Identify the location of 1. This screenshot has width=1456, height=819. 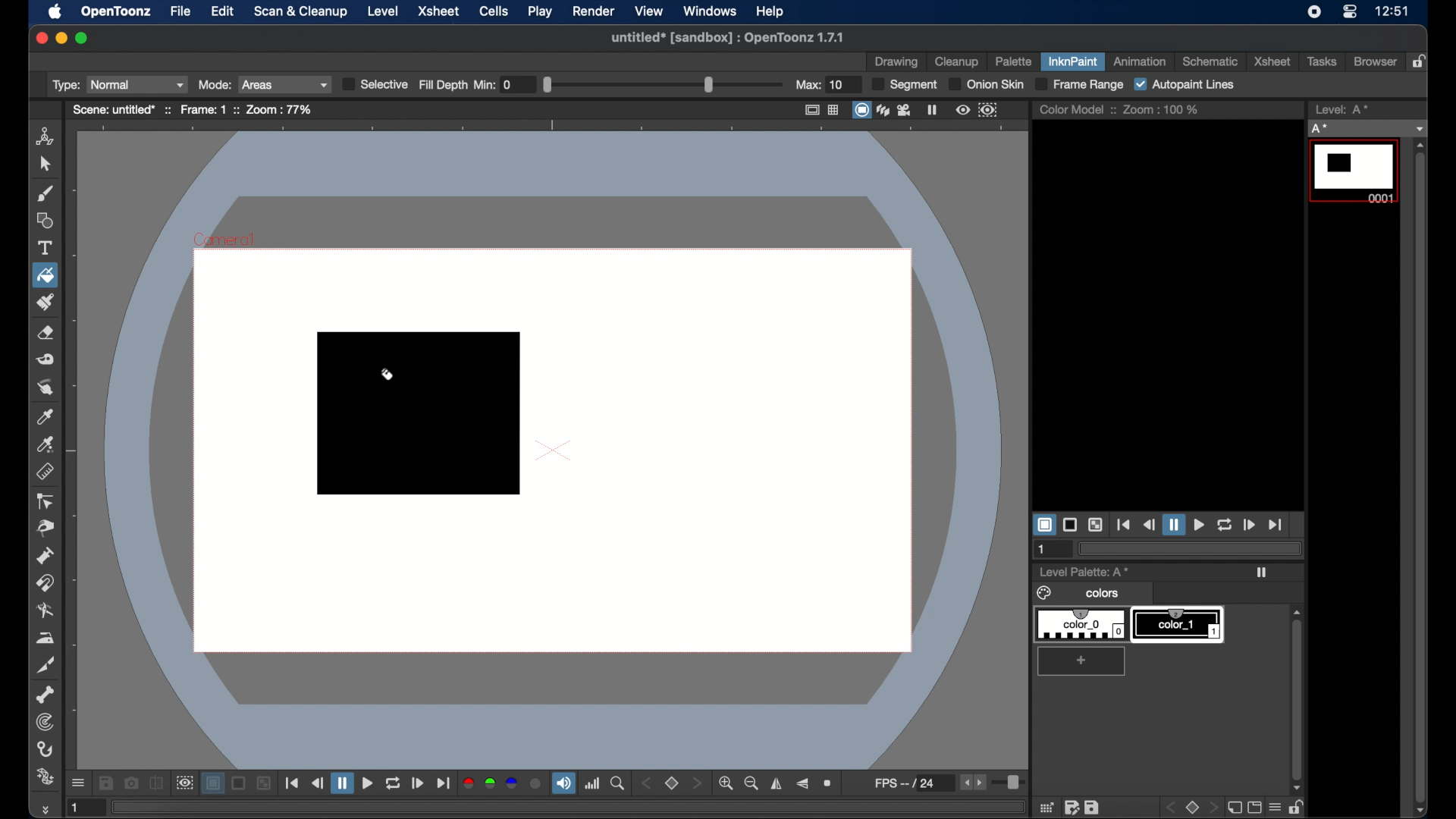
(1043, 550).